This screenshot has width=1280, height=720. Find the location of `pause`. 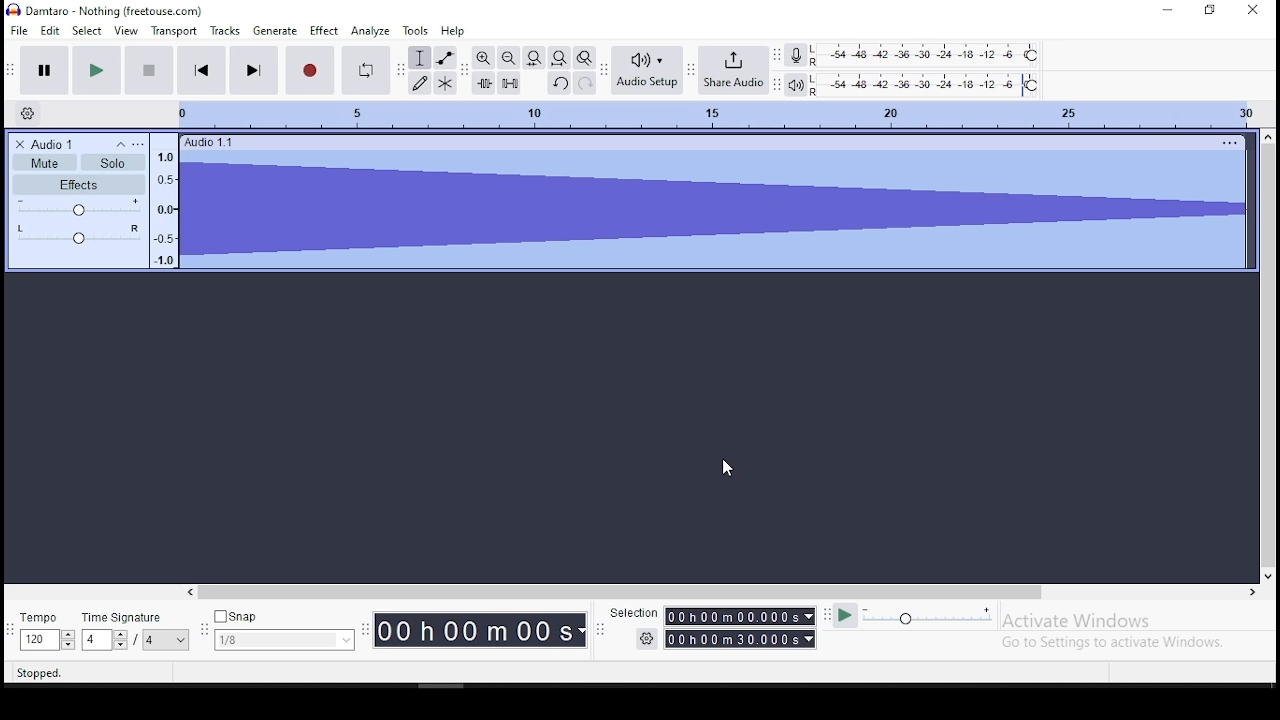

pause is located at coordinates (45, 69).